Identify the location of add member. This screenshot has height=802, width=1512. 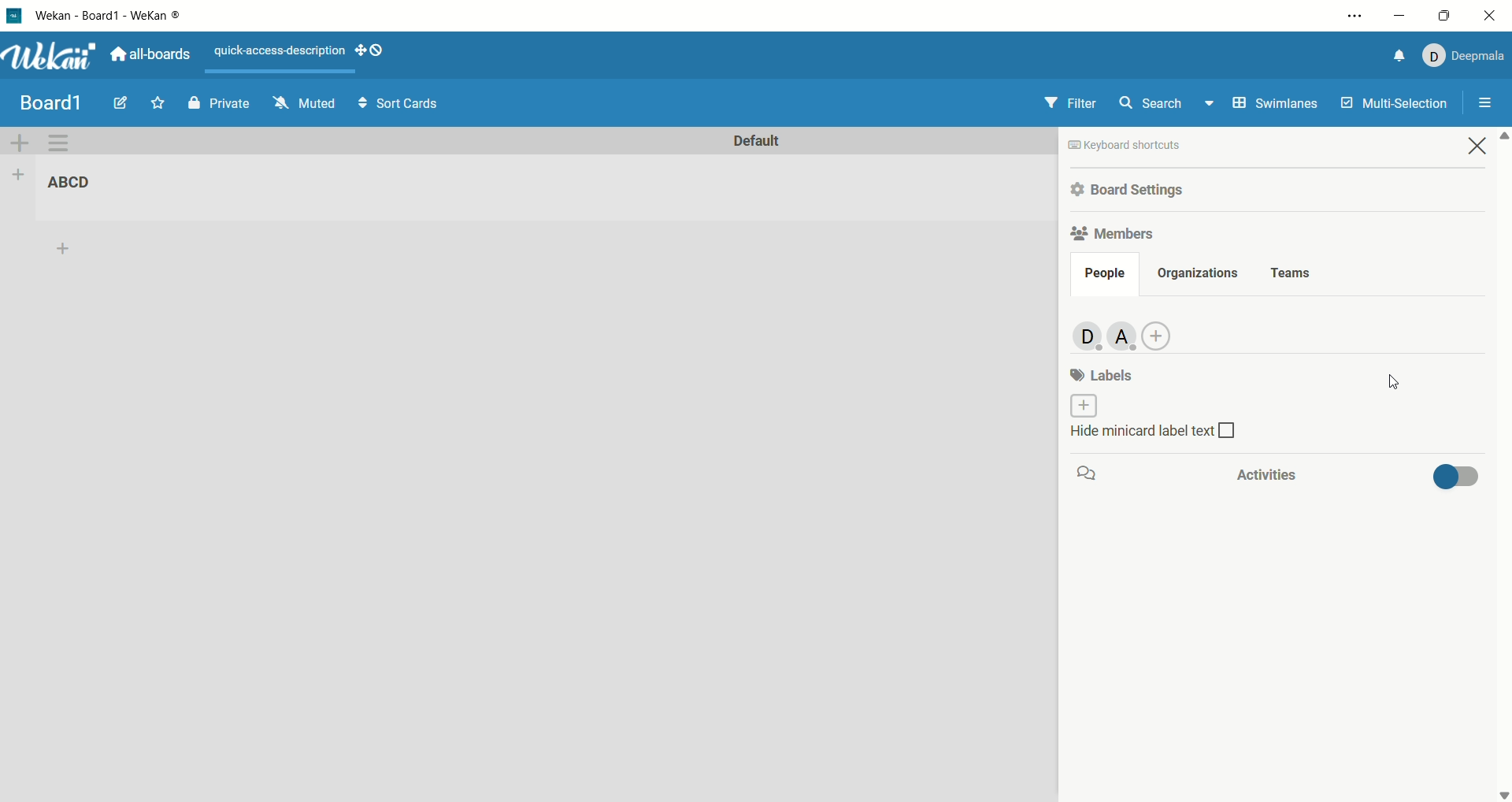
(1160, 335).